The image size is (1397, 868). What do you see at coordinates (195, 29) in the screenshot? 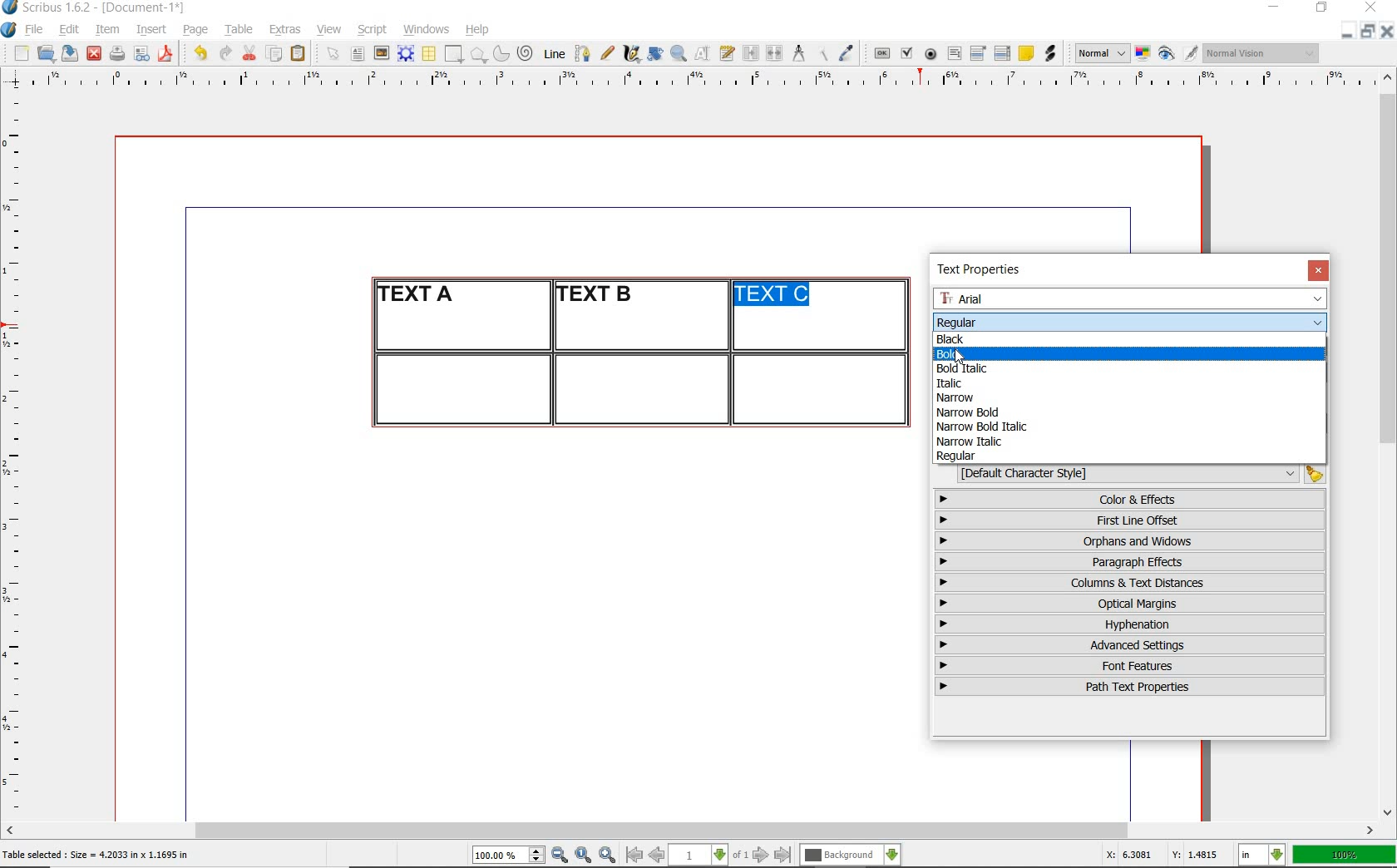
I see `page` at bounding box center [195, 29].